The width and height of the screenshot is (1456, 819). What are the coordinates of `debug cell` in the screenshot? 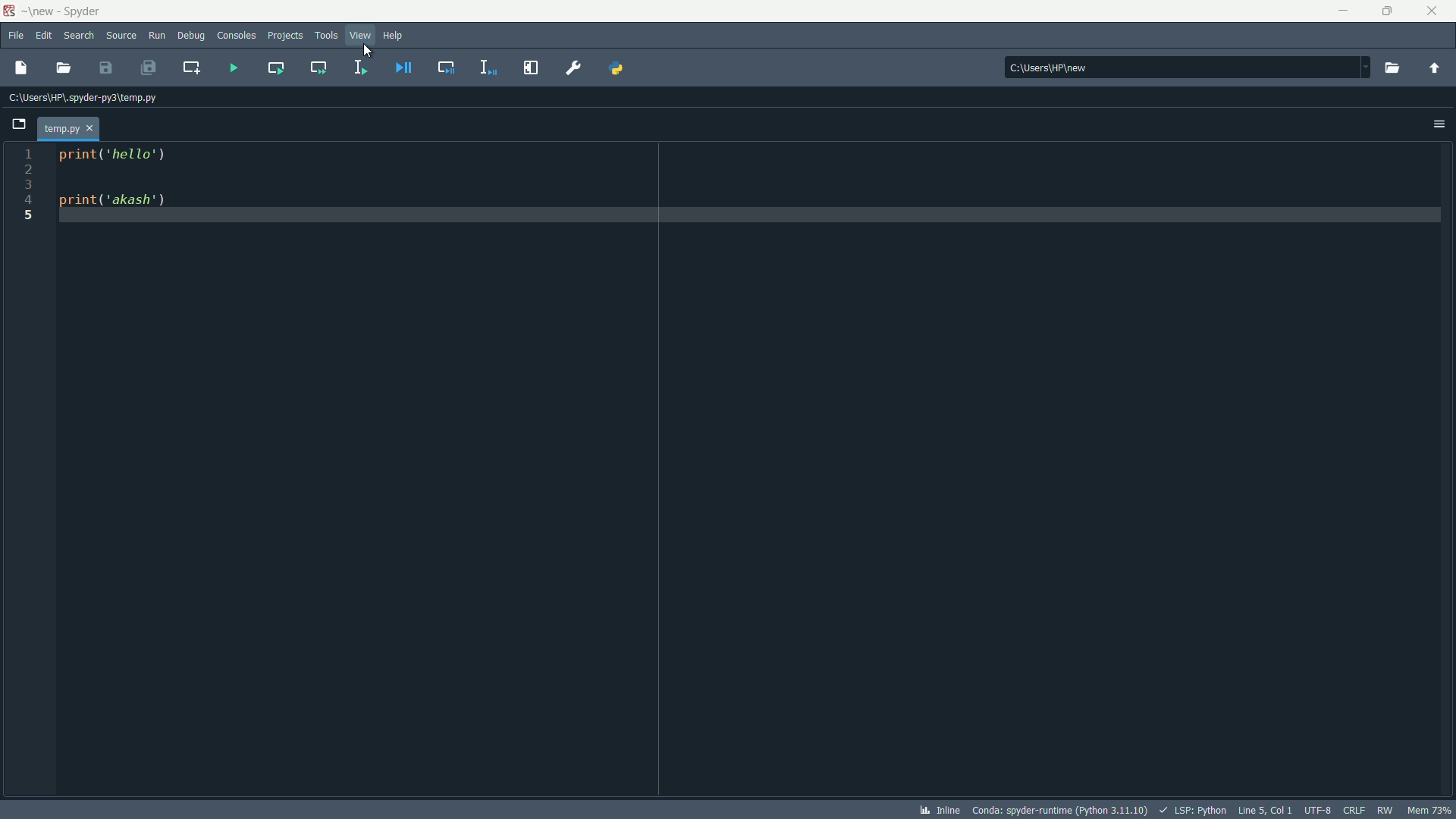 It's located at (448, 66).